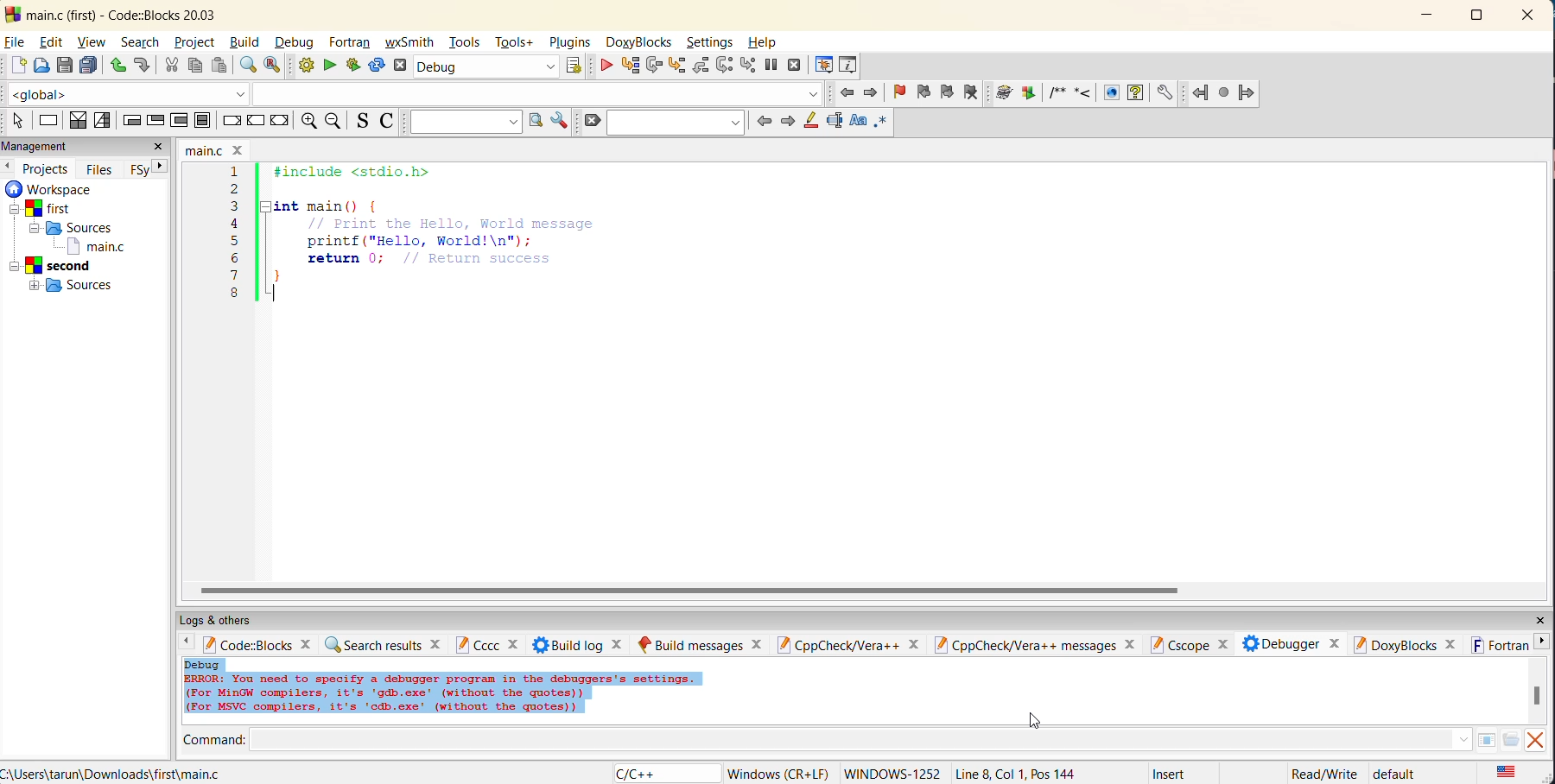 The image size is (1555, 784). Describe the element at coordinates (1171, 772) in the screenshot. I see `Insert` at that location.